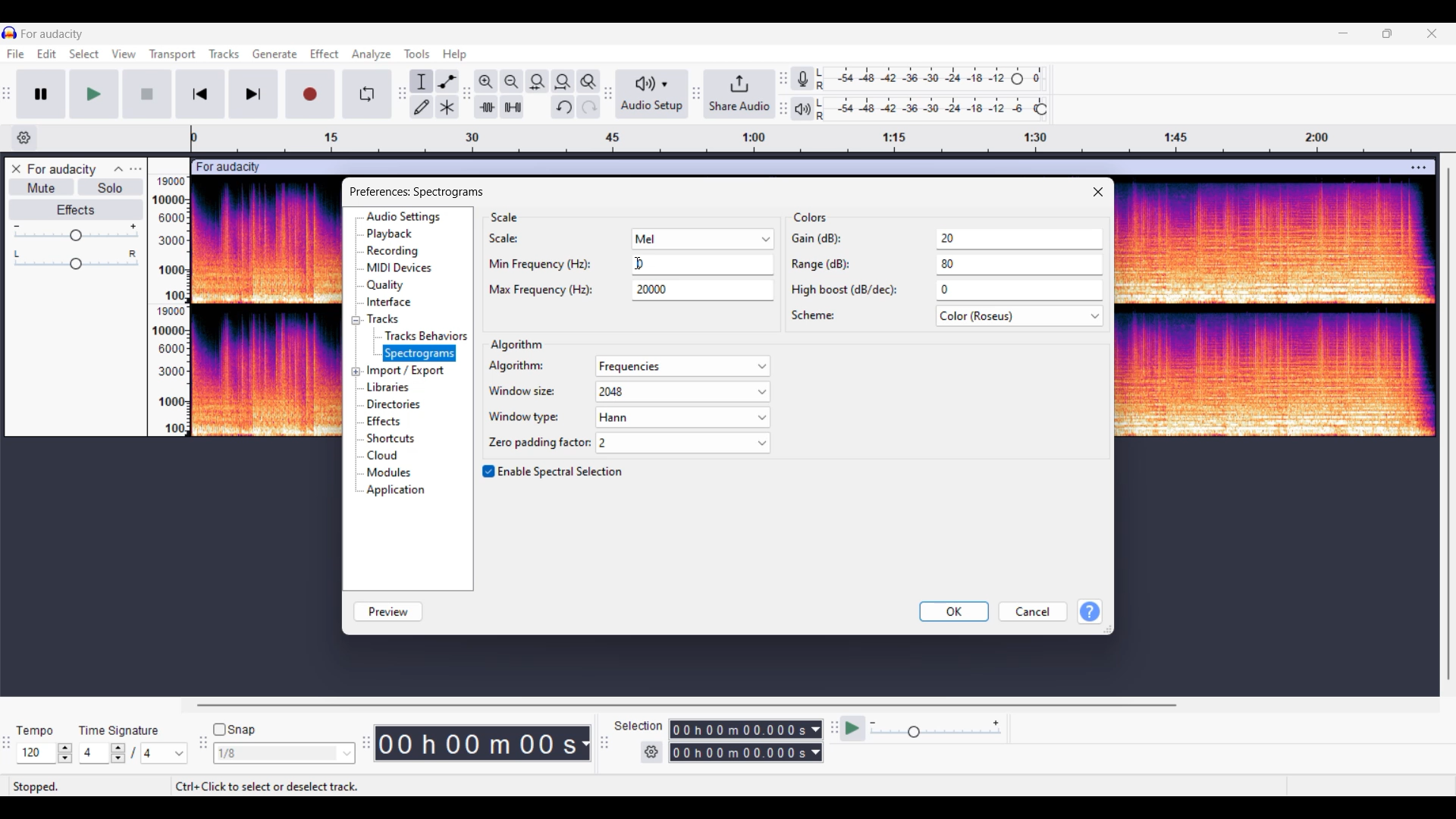 This screenshot has height=819, width=1456. Describe the element at coordinates (803, 108) in the screenshot. I see `Playback meter` at that location.